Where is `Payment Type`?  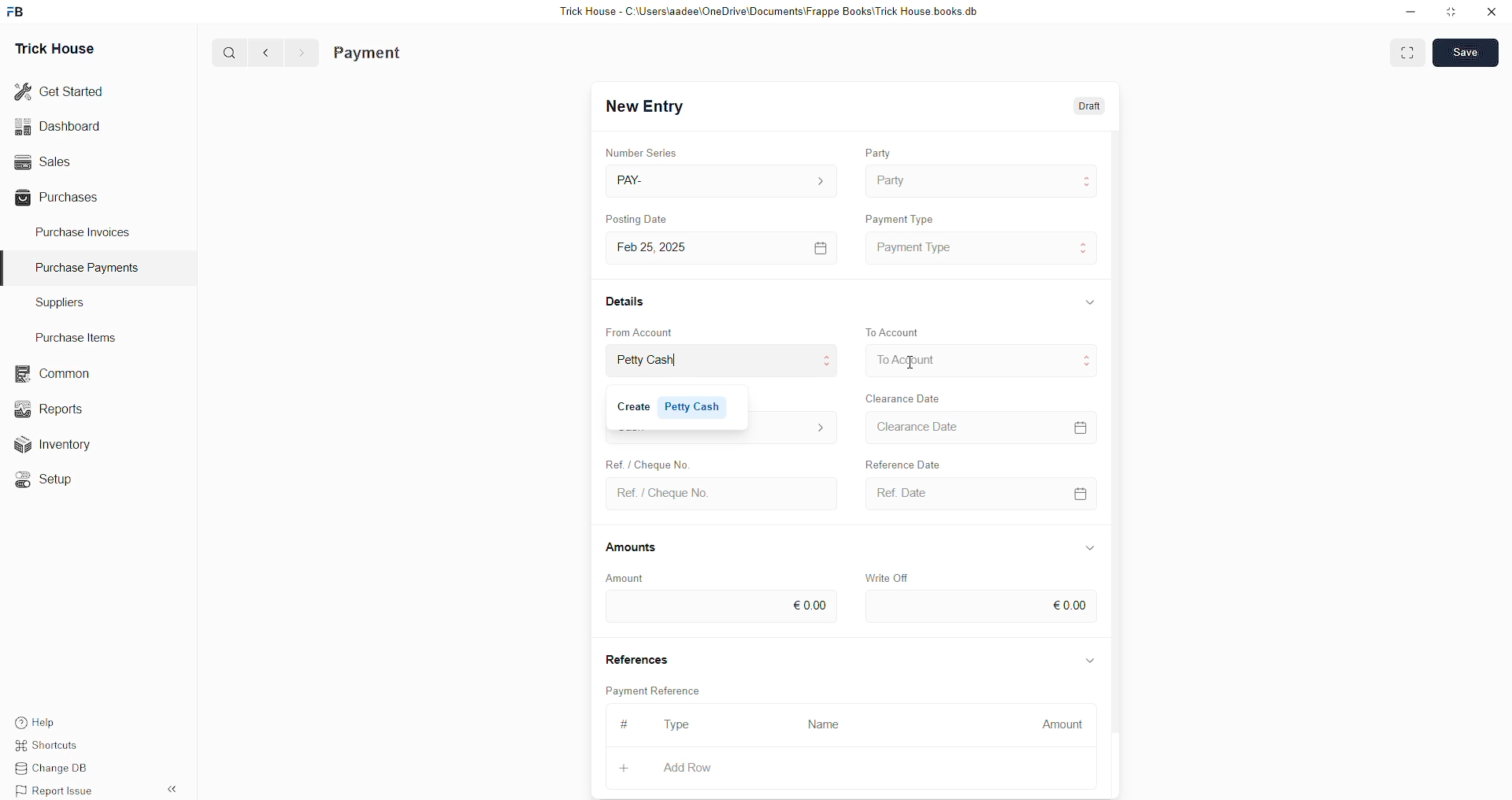 Payment Type is located at coordinates (919, 246).